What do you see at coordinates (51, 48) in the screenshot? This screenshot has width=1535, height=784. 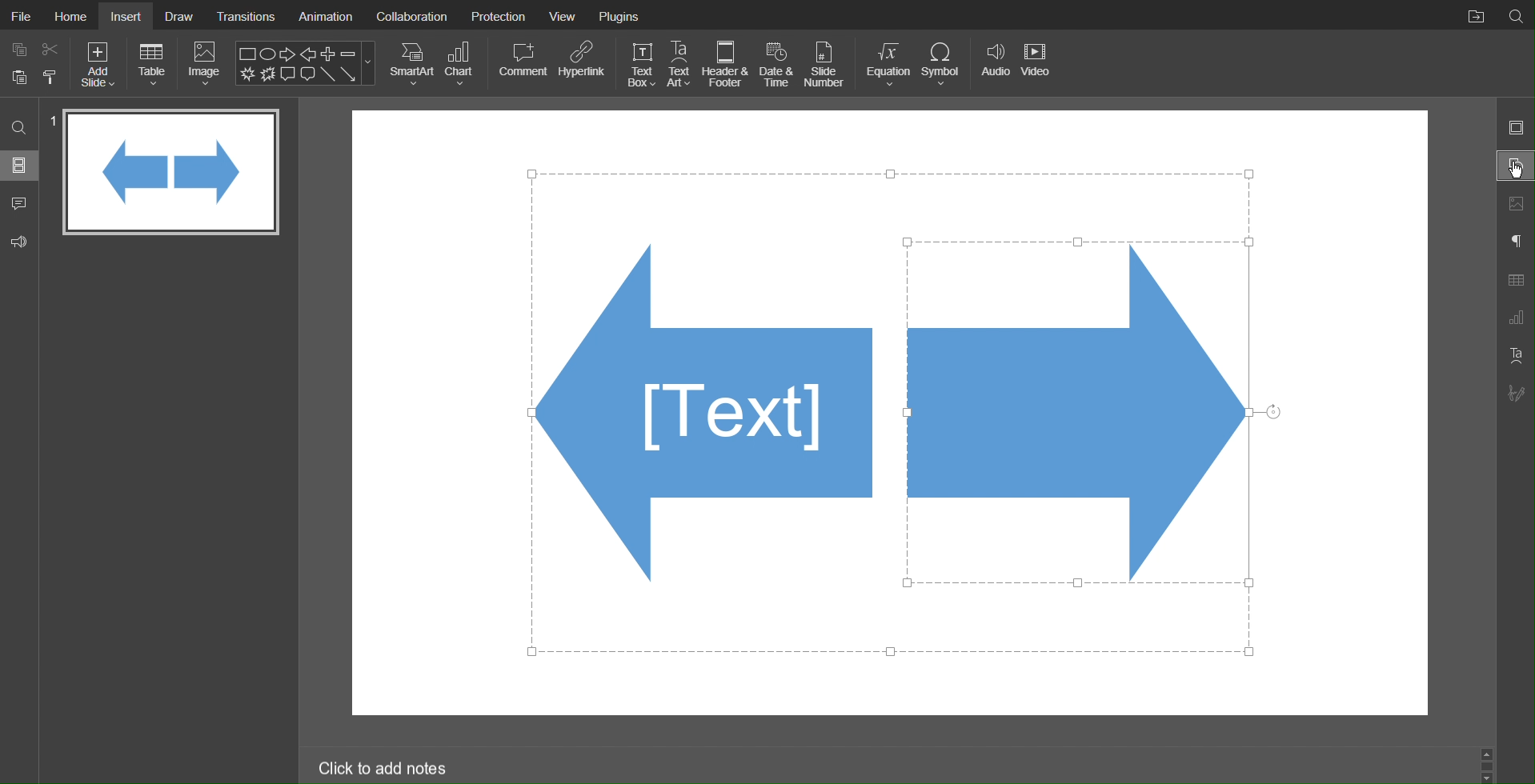 I see `cut` at bounding box center [51, 48].